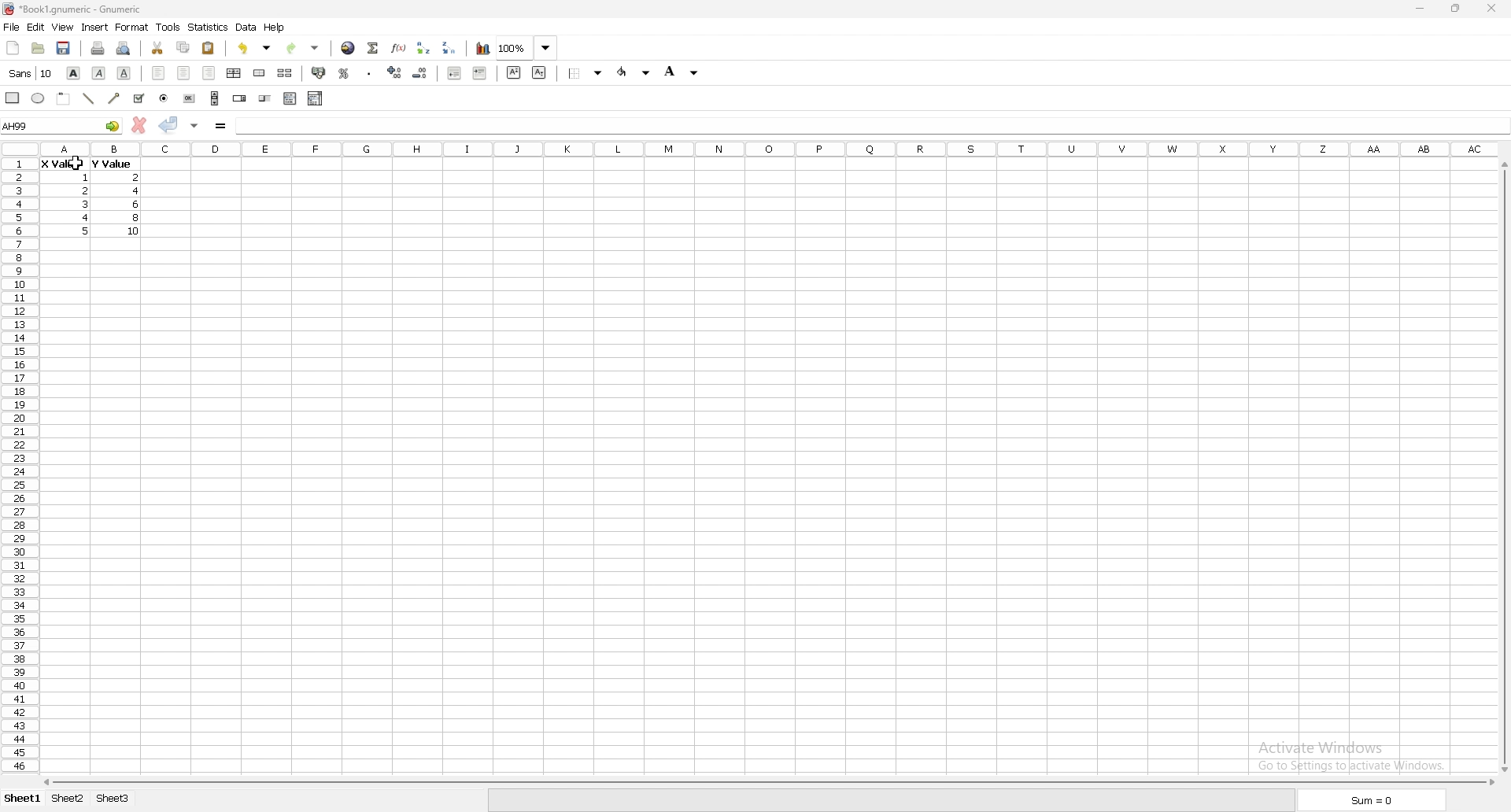 The image size is (1511, 812). I want to click on selected cell, so click(61, 125).